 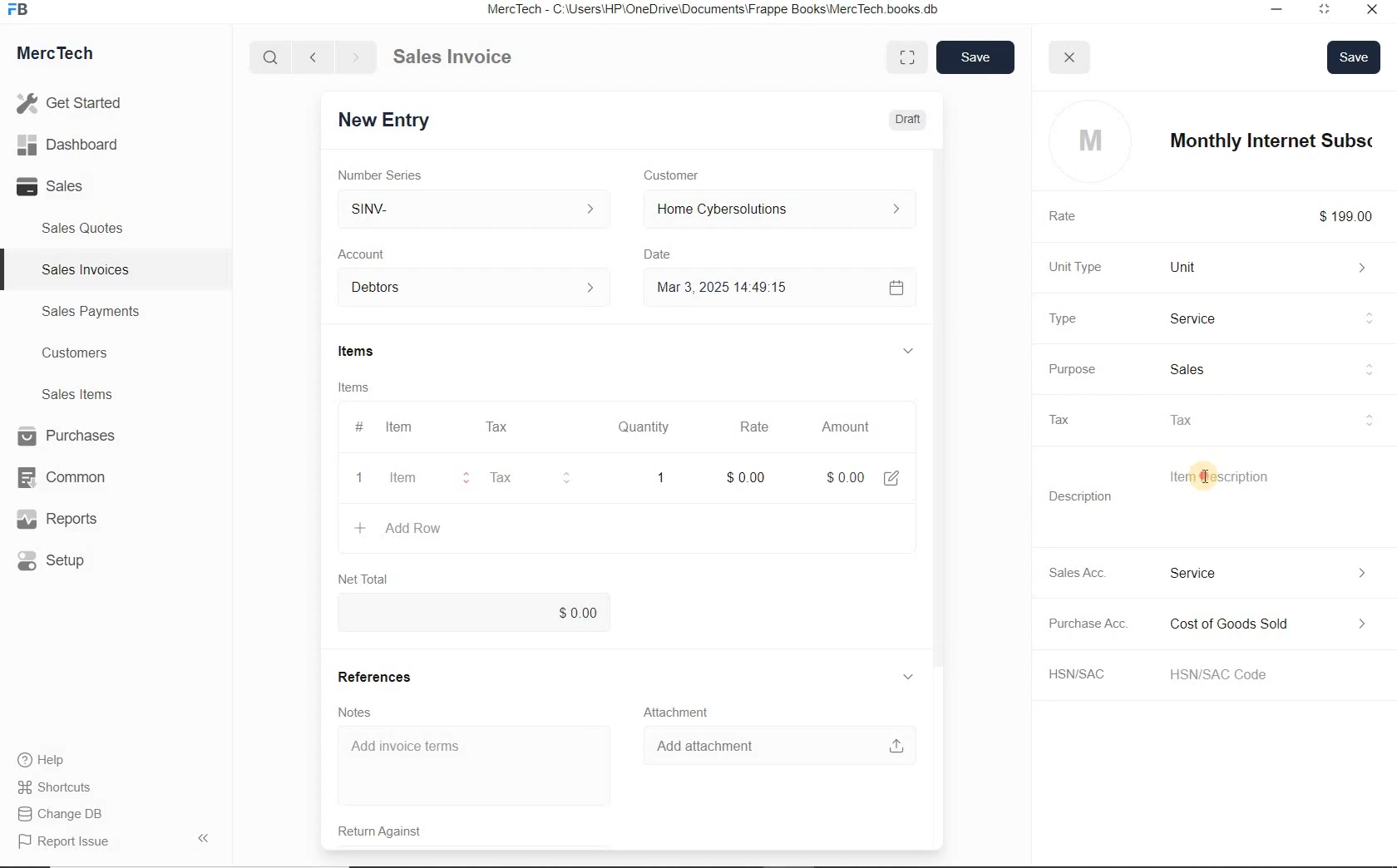 What do you see at coordinates (496, 427) in the screenshot?
I see `Tax` at bounding box center [496, 427].